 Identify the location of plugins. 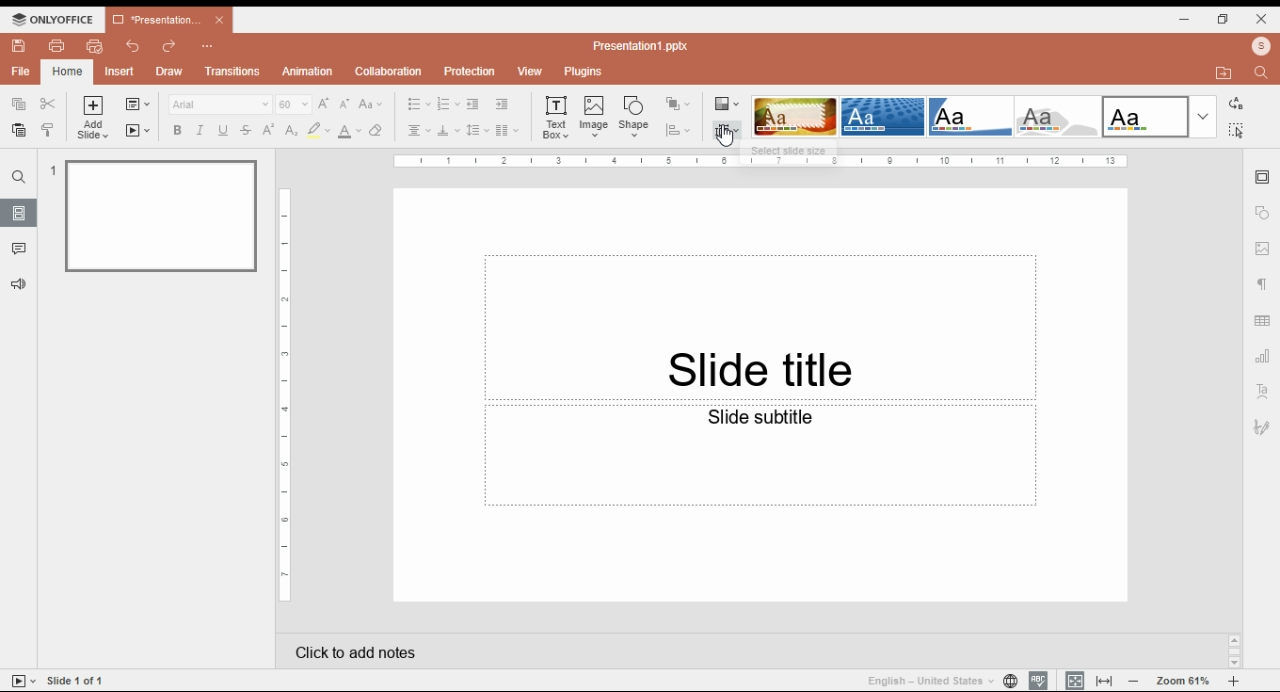
(584, 72).